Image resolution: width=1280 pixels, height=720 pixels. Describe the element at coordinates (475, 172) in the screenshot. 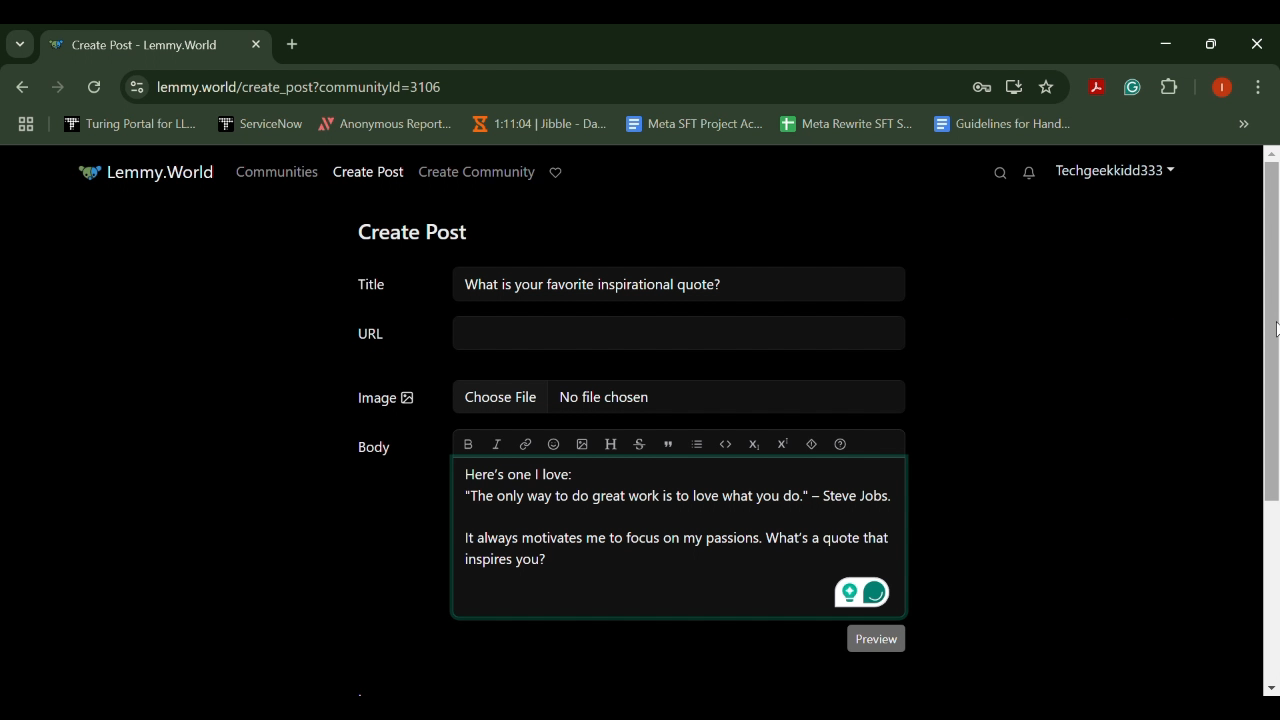

I see `Create Community` at that location.